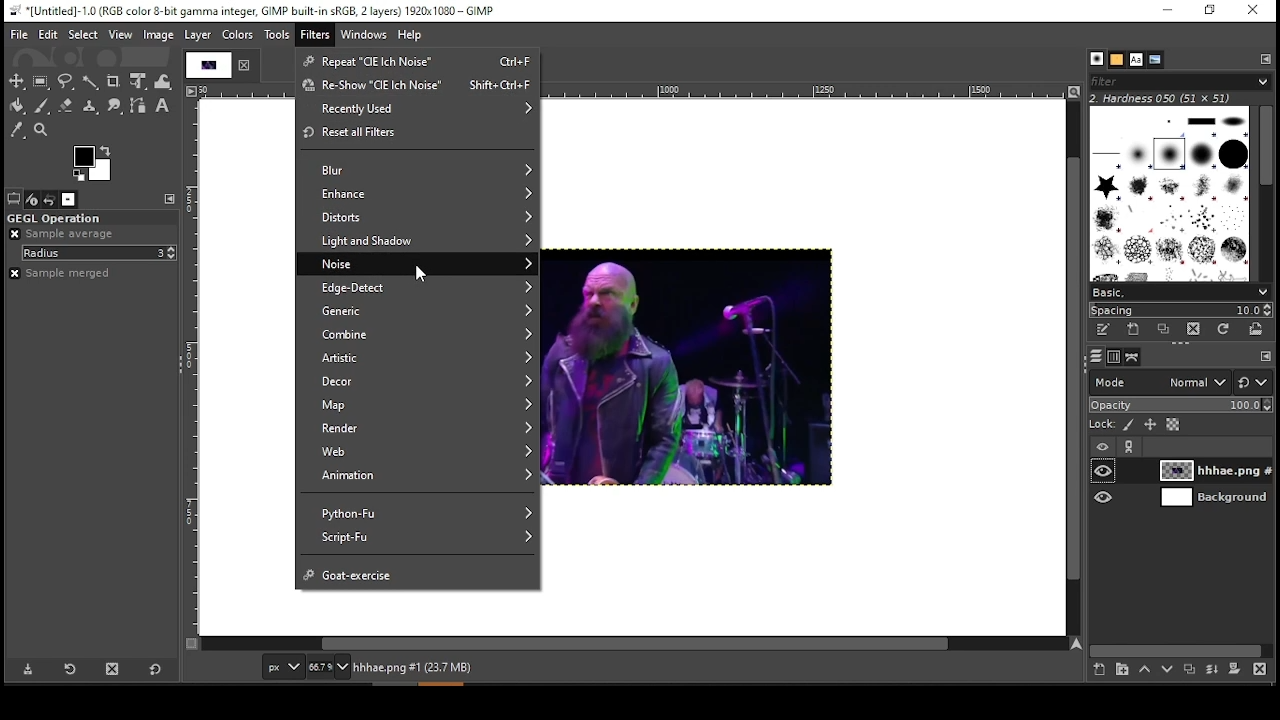 The width and height of the screenshot is (1280, 720). I want to click on map, so click(422, 406).